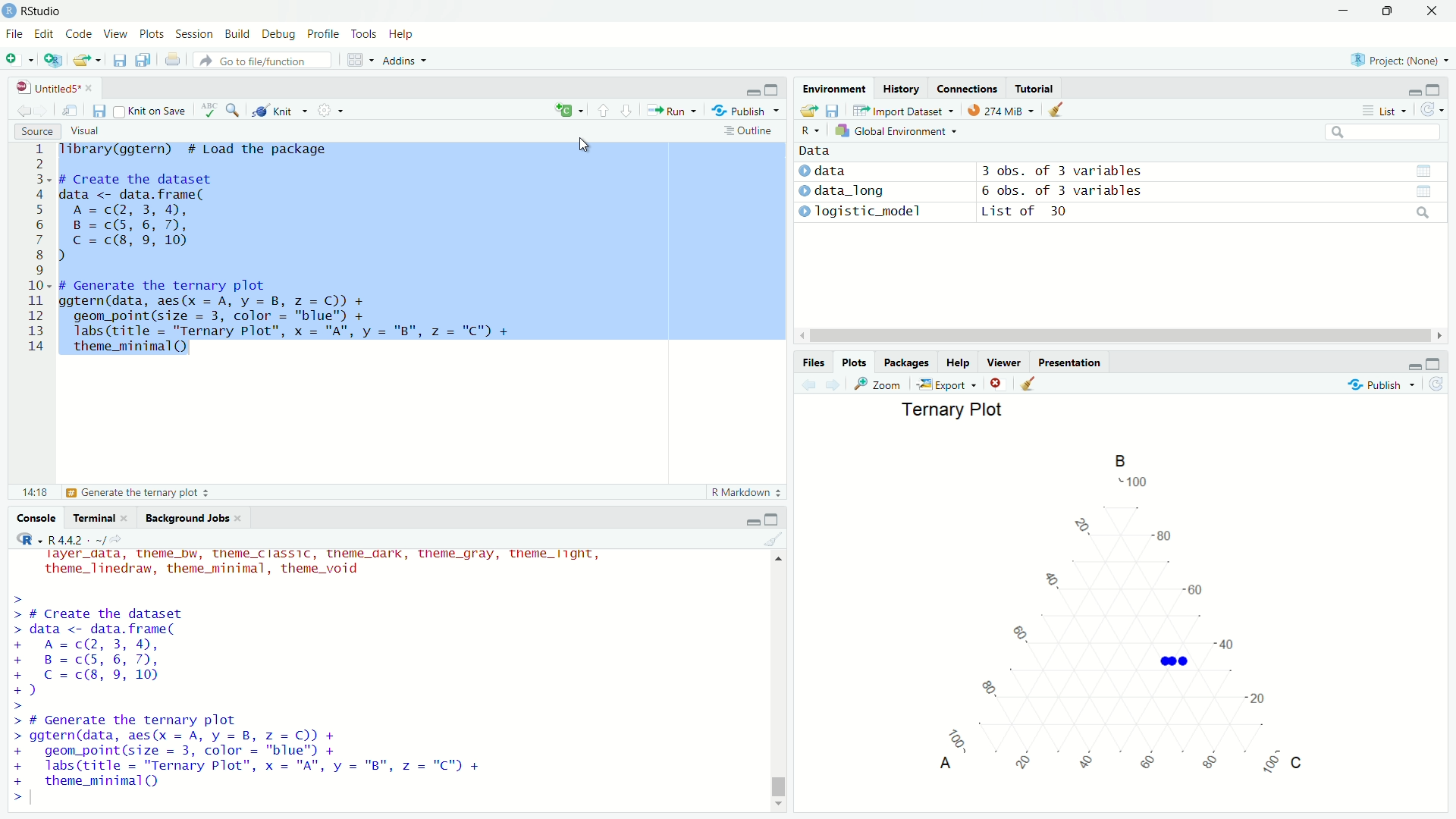 The height and width of the screenshot is (819, 1456). What do you see at coordinates (1409, 366) in the screenshot?
I see `minimise` at bounding box center [1409, 366].